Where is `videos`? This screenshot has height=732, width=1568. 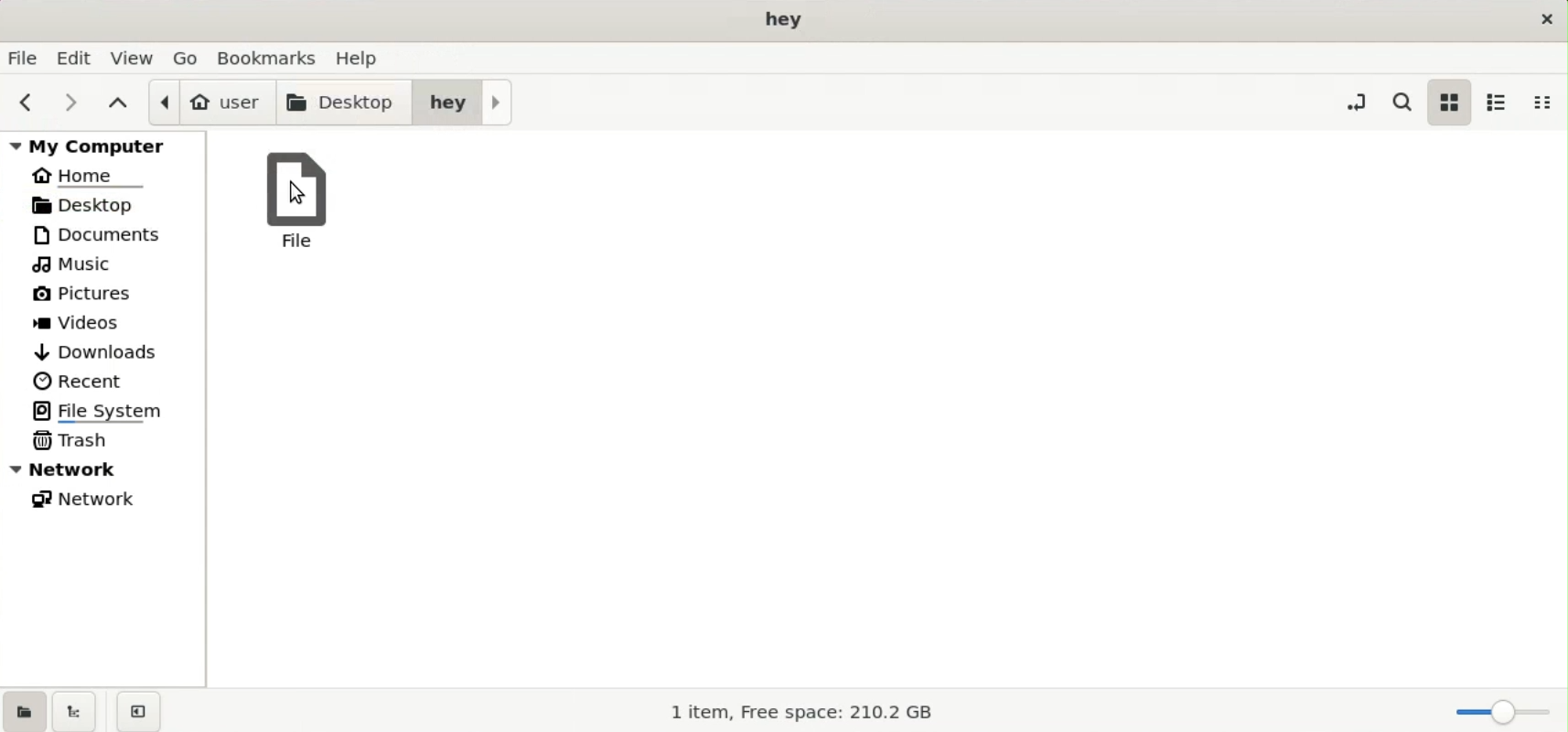
videos is located at coordinates (83, 325).